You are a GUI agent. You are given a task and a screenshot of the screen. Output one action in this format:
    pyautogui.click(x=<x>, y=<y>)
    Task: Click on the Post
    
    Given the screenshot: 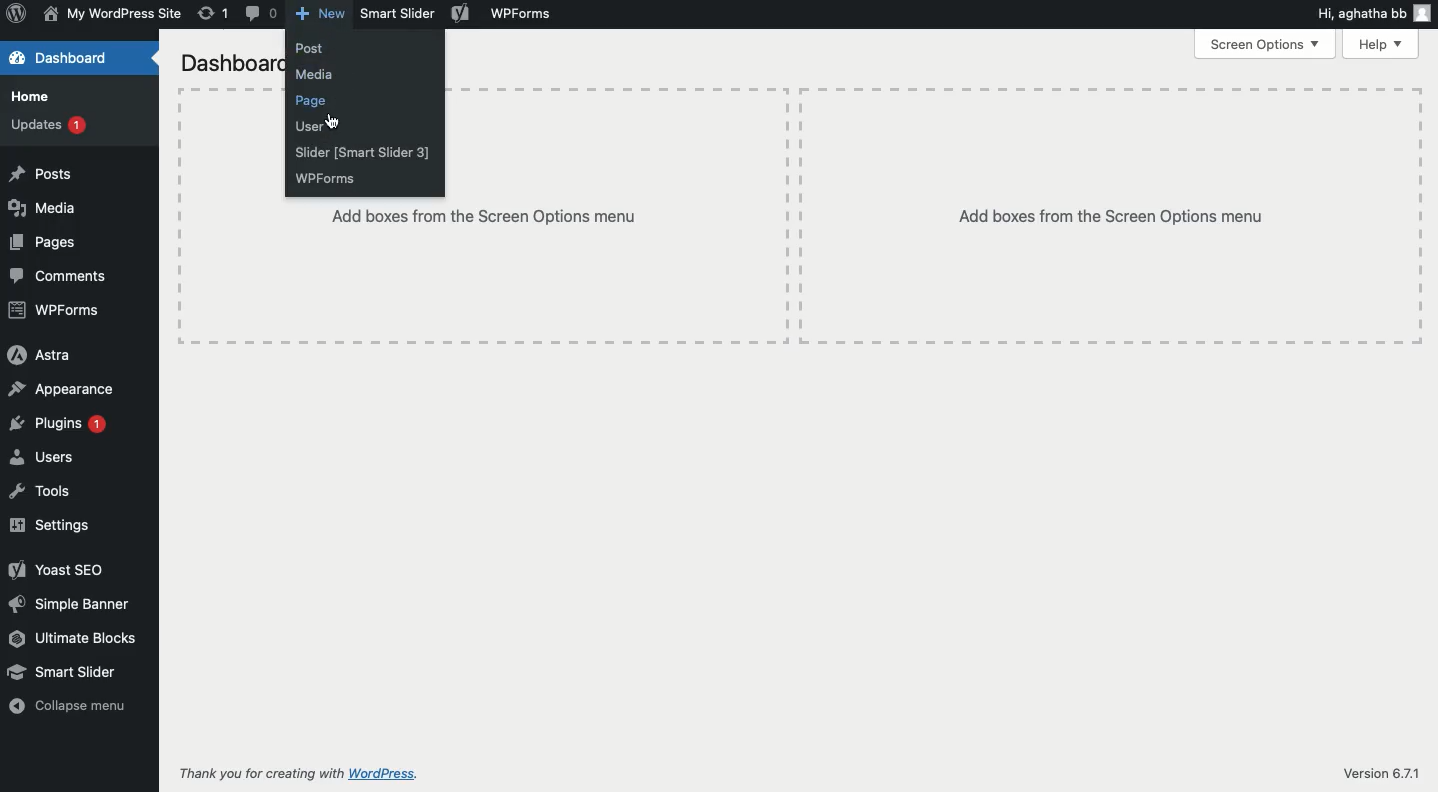 What is the action you would take?
    pyautogui.click(x=309, y=48)
    